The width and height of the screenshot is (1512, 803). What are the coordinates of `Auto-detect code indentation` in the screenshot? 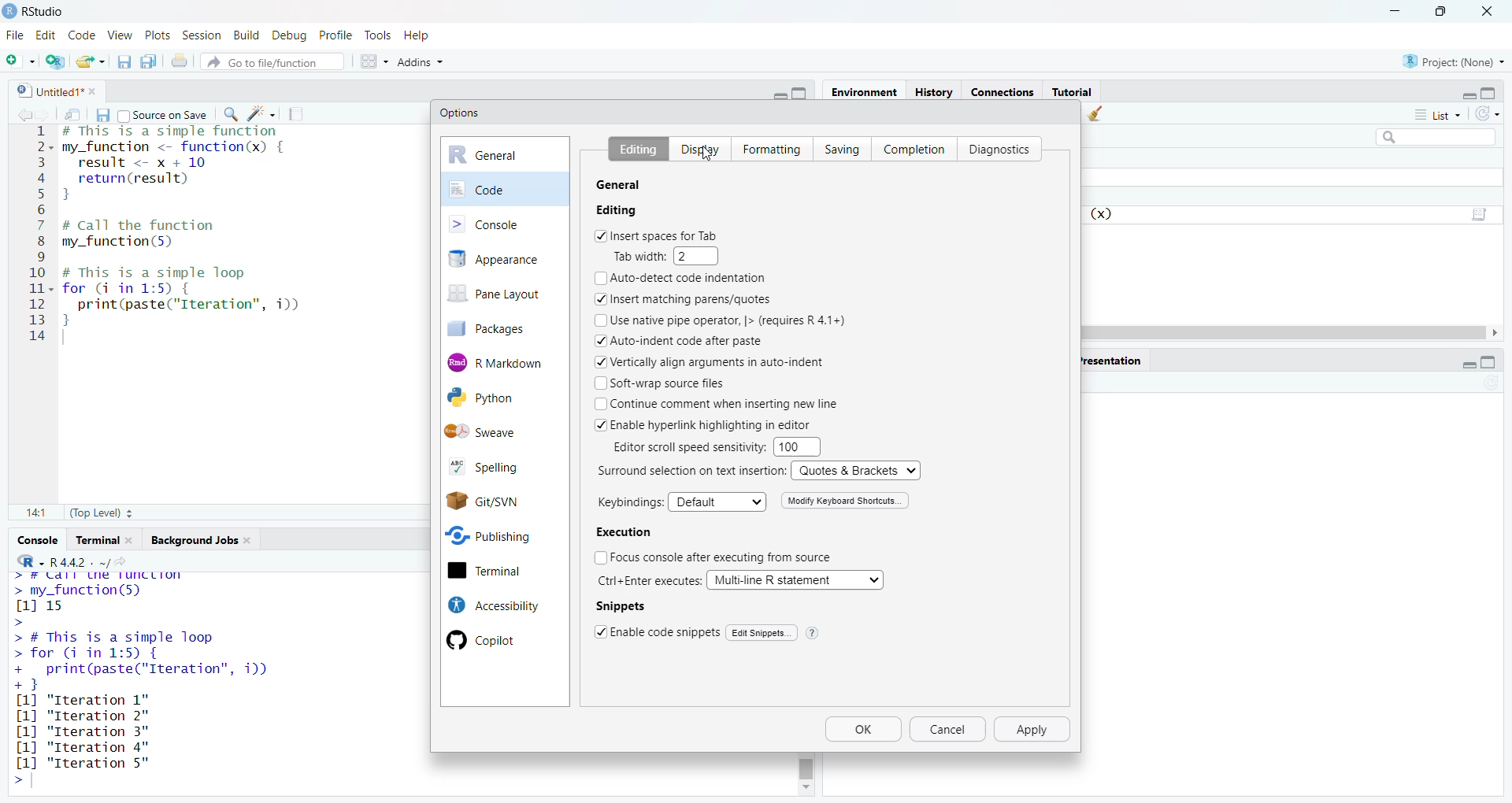 It's located at (684, 277).